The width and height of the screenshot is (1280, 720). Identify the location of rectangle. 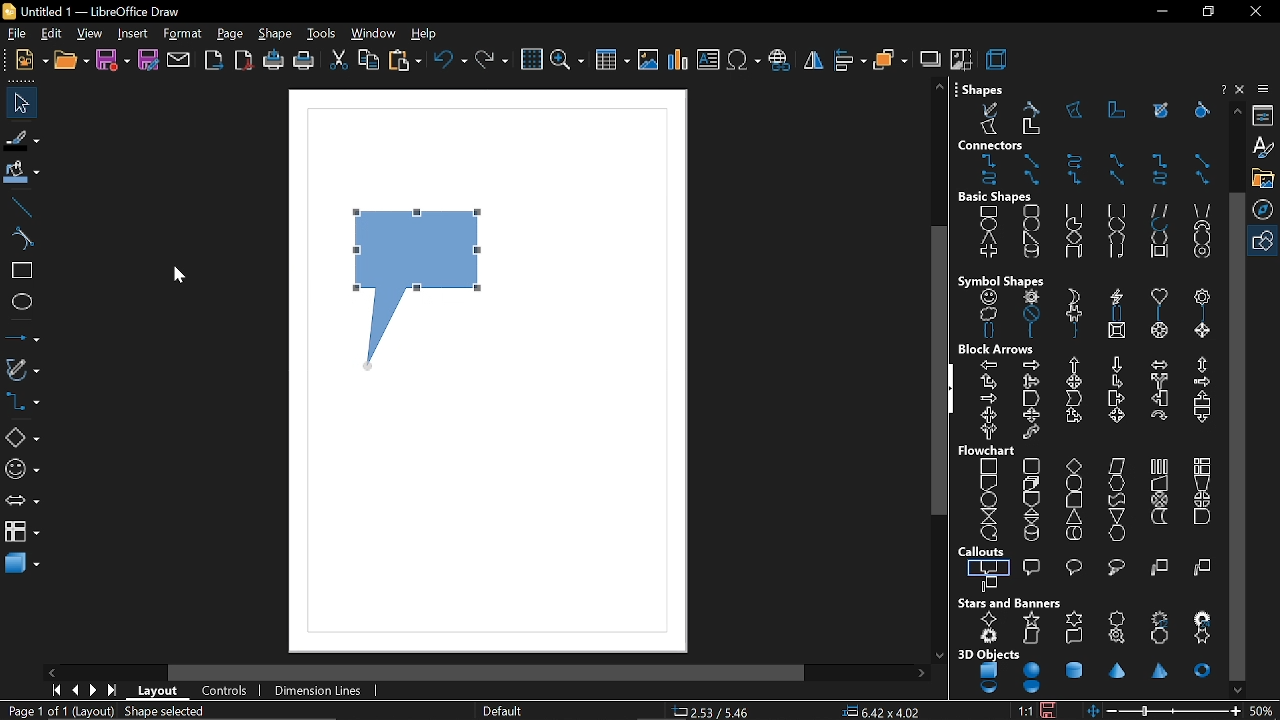
(989, 212).